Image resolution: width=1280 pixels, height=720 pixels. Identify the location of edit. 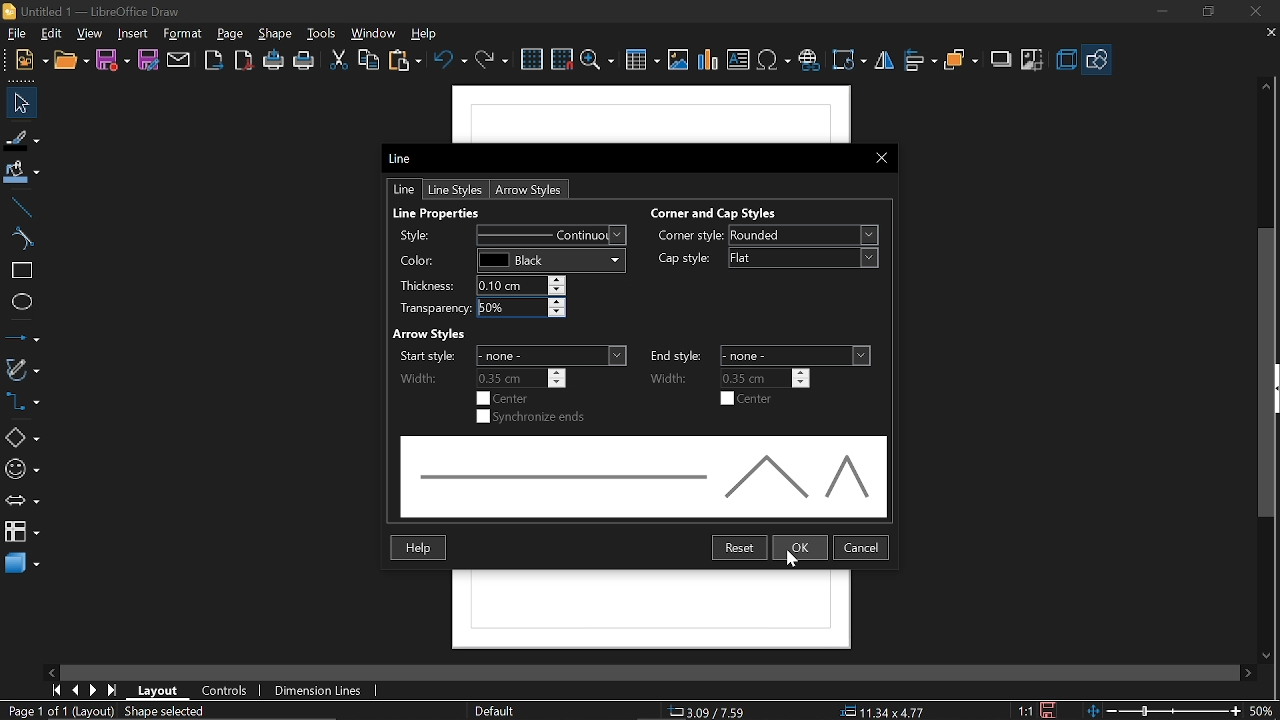
(53, 34).